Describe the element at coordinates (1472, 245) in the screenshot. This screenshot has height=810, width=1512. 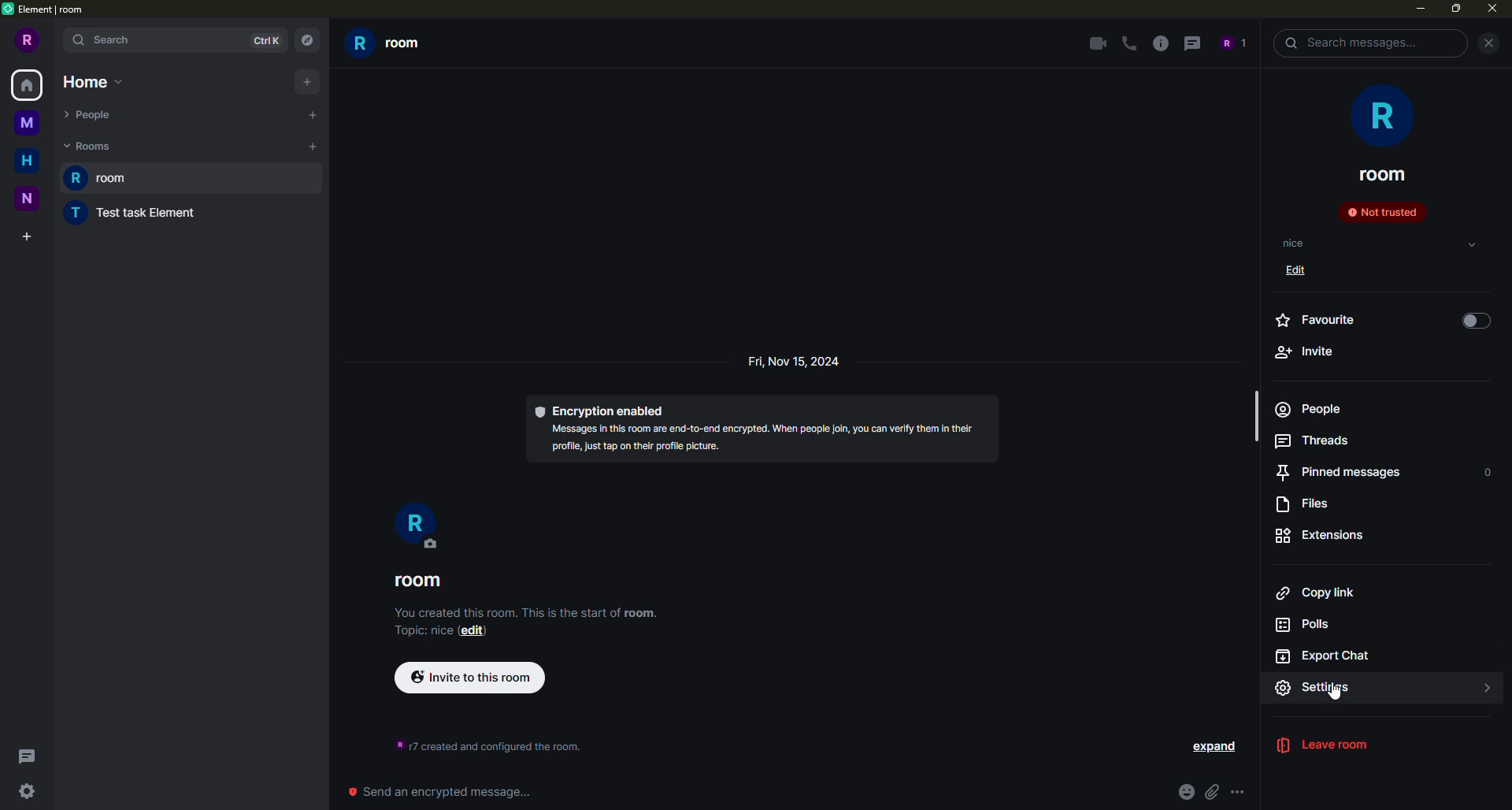
I see `select` at that location.